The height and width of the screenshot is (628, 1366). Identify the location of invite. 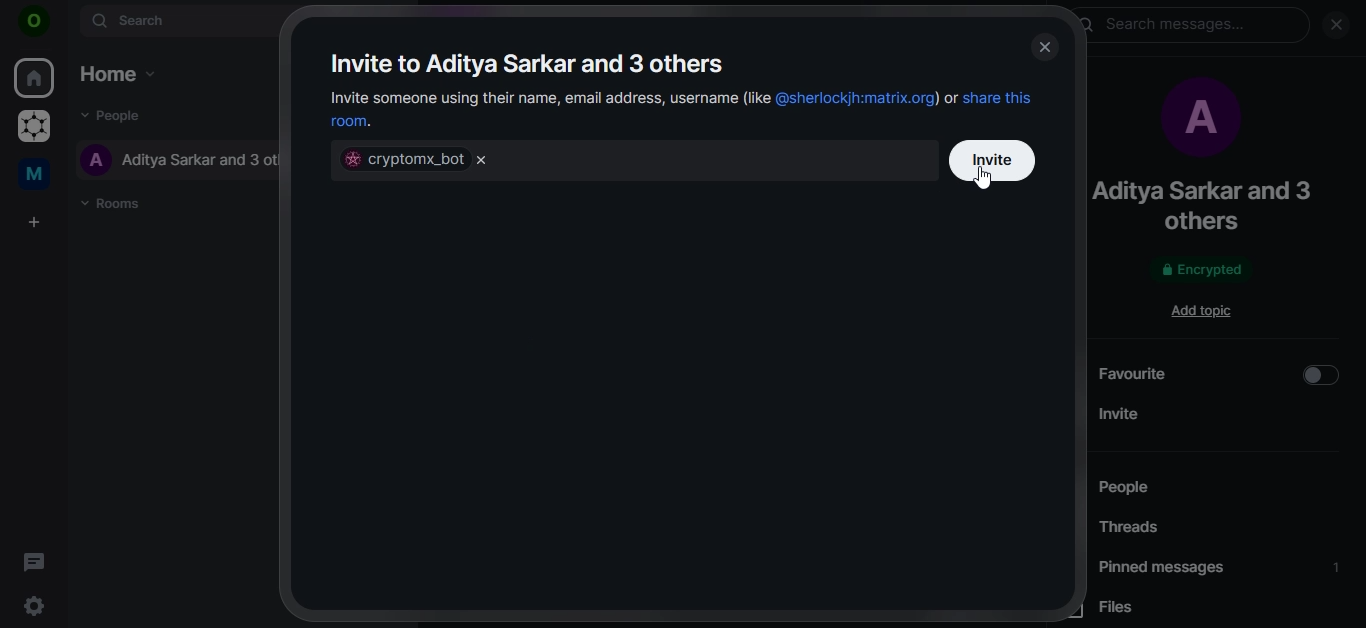
(998, 161).